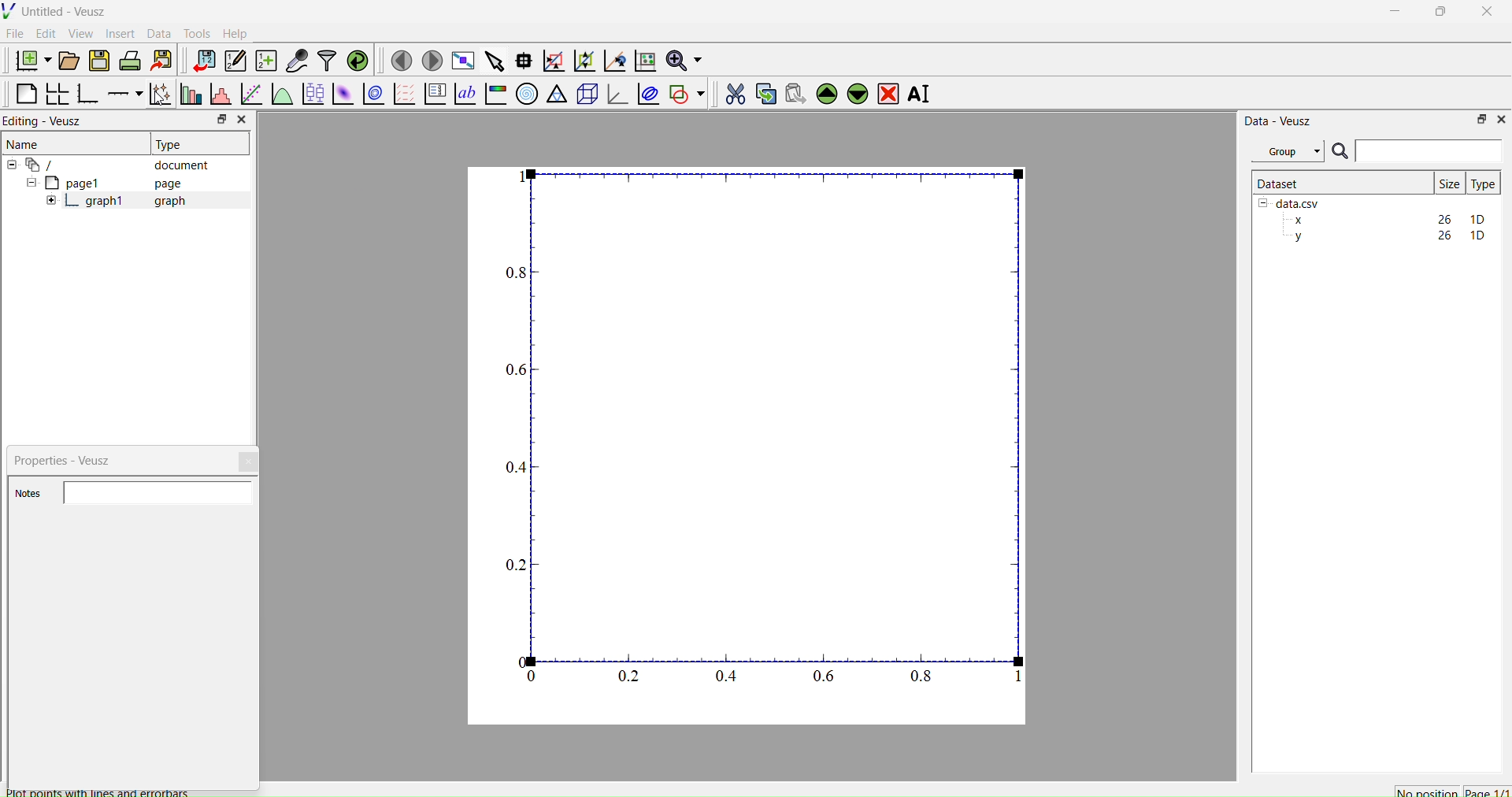  What do you see at coordinates (161, 61) in the screenshot?
I see `Export to graphics format` at bounding box center [161, 61].